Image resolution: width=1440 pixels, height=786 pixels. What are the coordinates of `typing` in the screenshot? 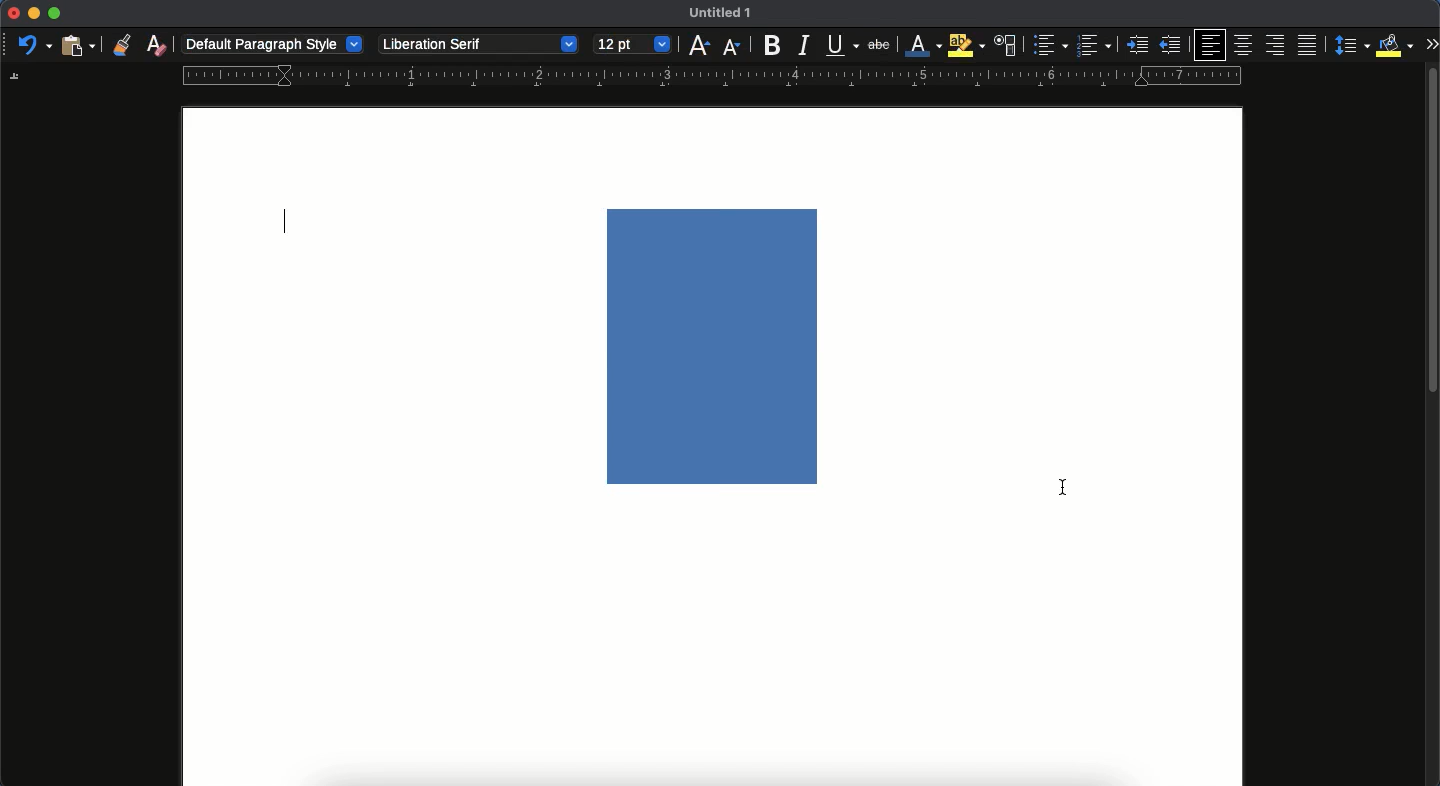 It's located at (286, 220).